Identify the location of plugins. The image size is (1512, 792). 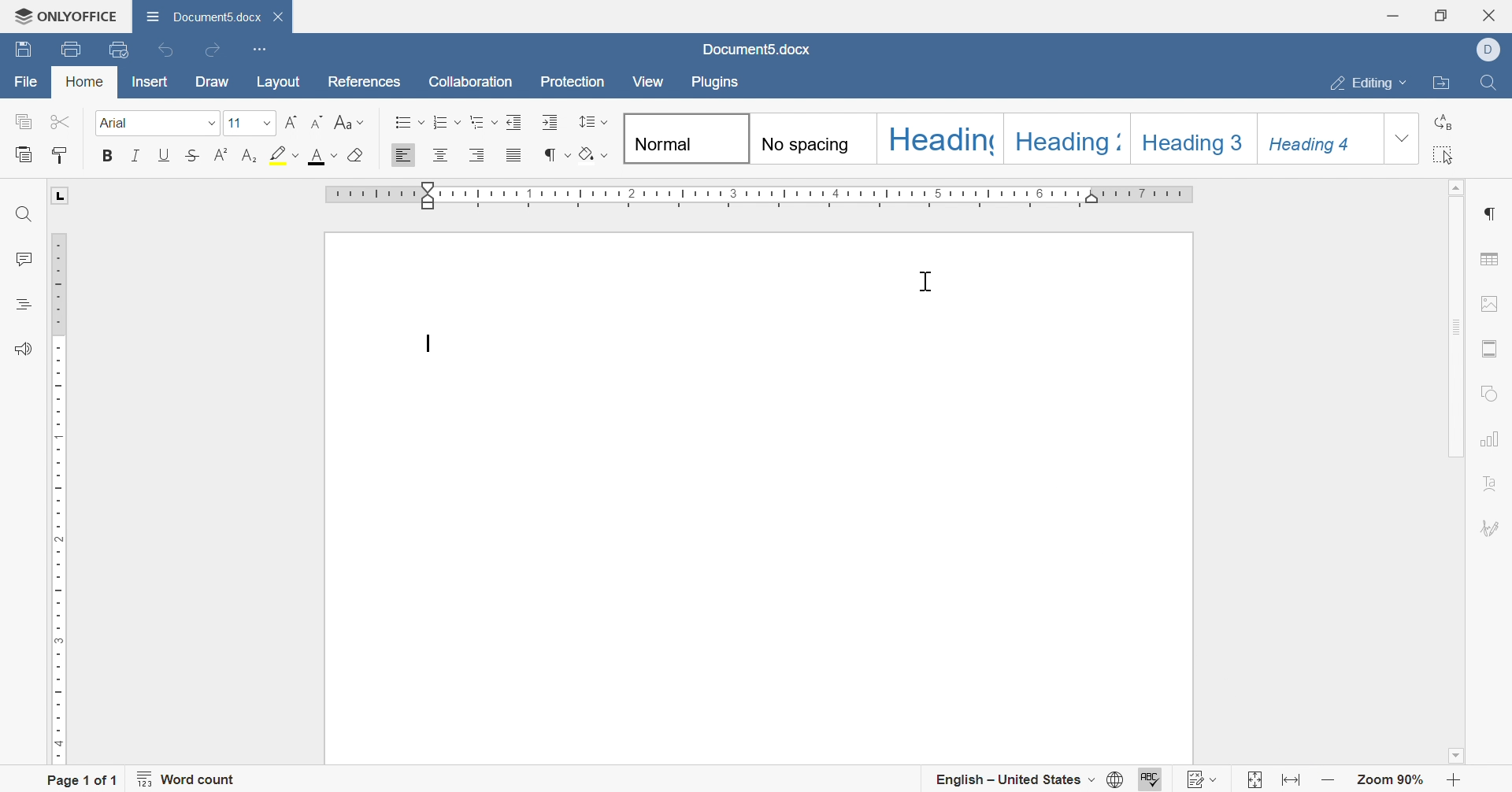
(723, 84).